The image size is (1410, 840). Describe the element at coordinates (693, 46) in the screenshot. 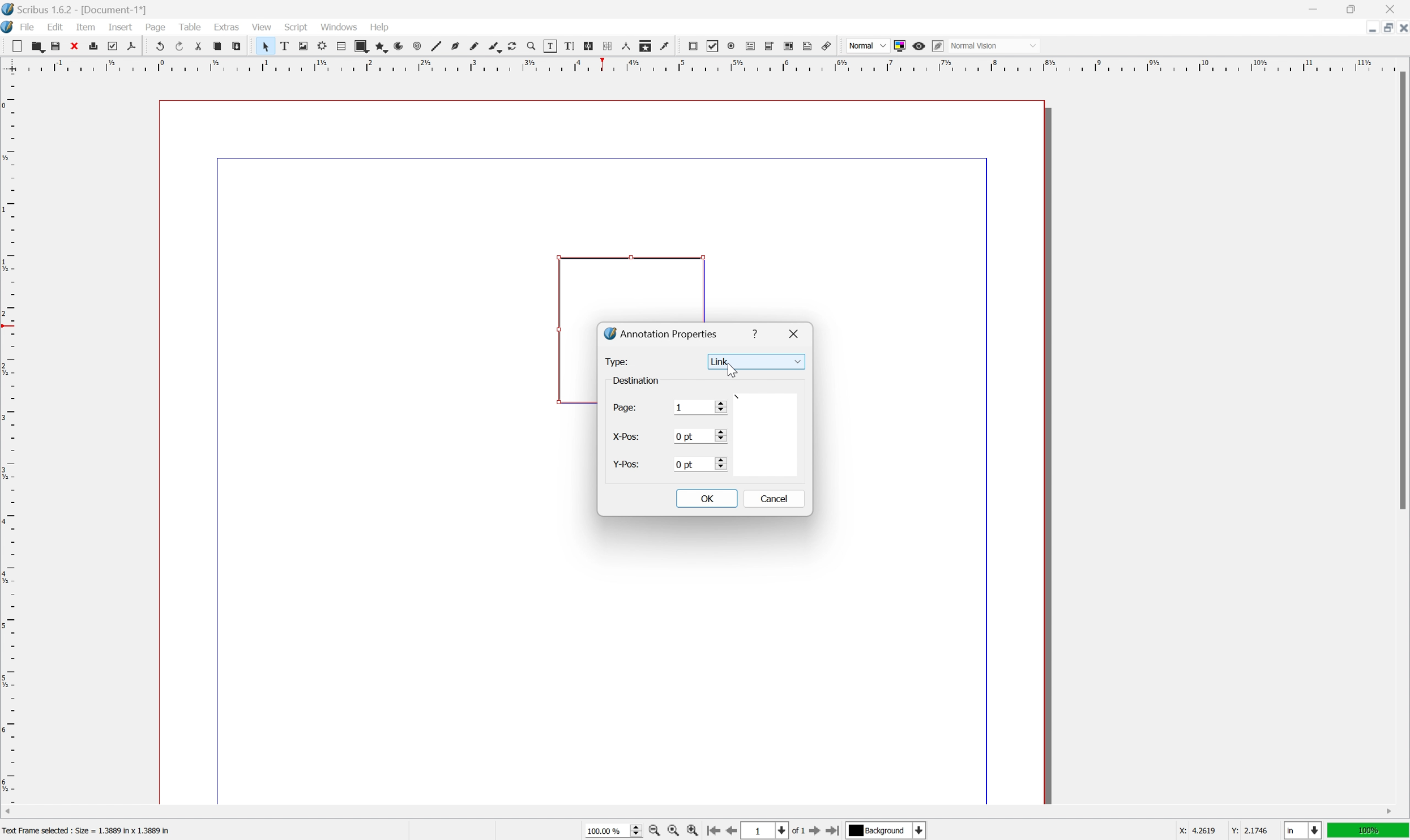

I see `pdf push button` at that location.